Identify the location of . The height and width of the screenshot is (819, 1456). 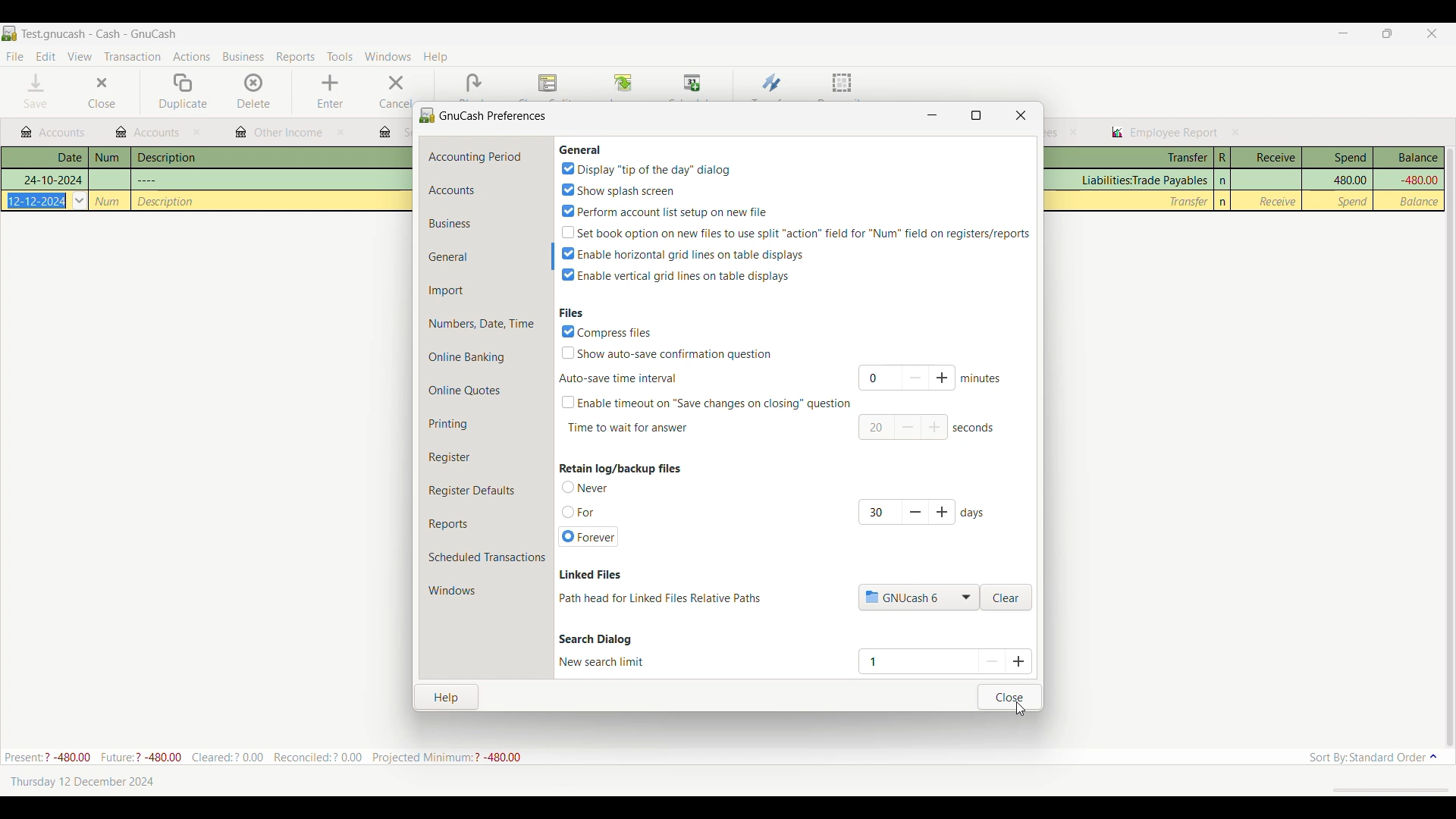
(38, 200).